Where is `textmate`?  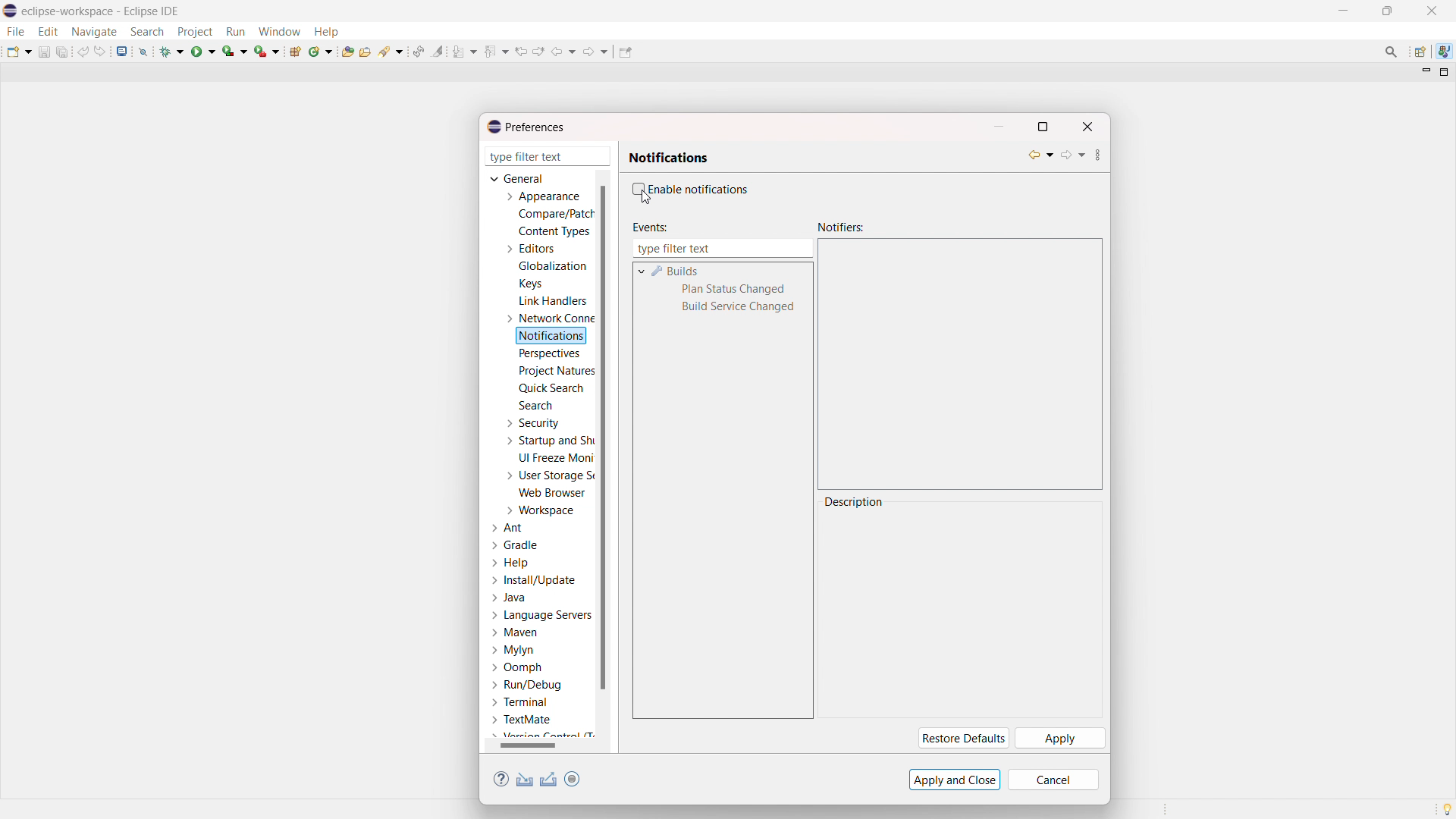 textmate is located at coordinates (523, 719).